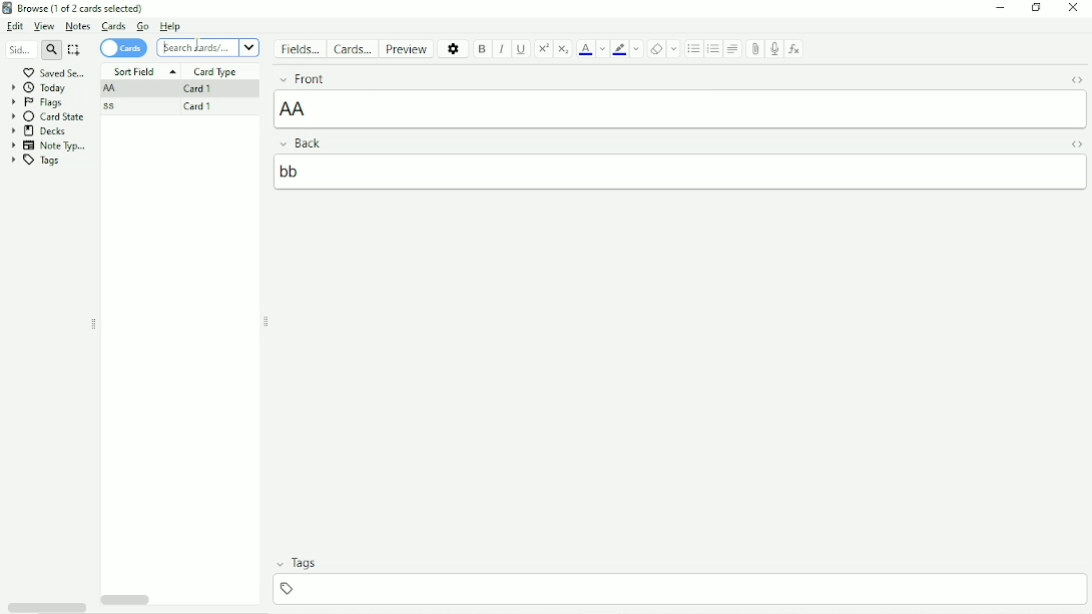  I want to click on SS, so click(116, 107).